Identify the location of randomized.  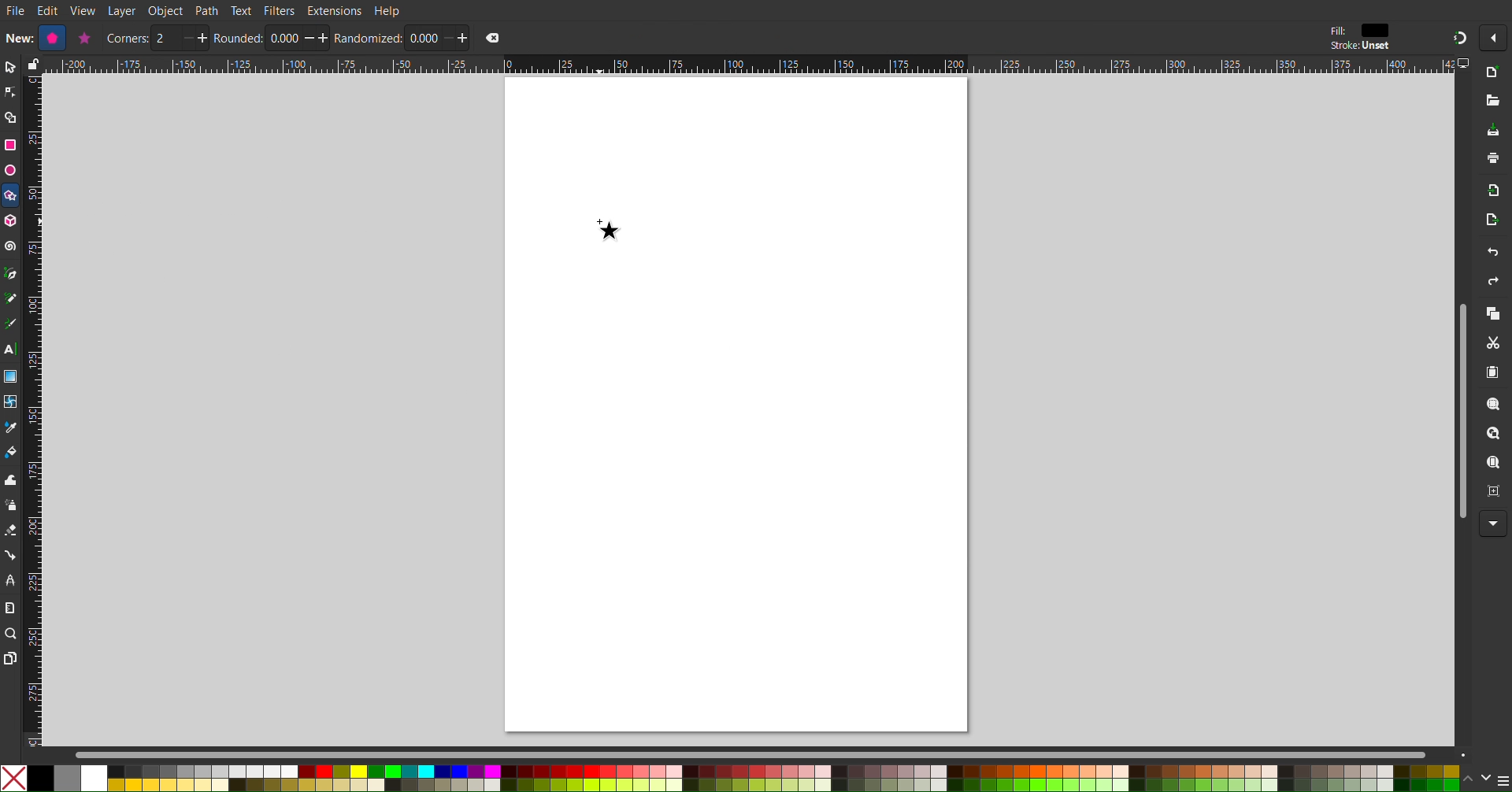
(369, 38).